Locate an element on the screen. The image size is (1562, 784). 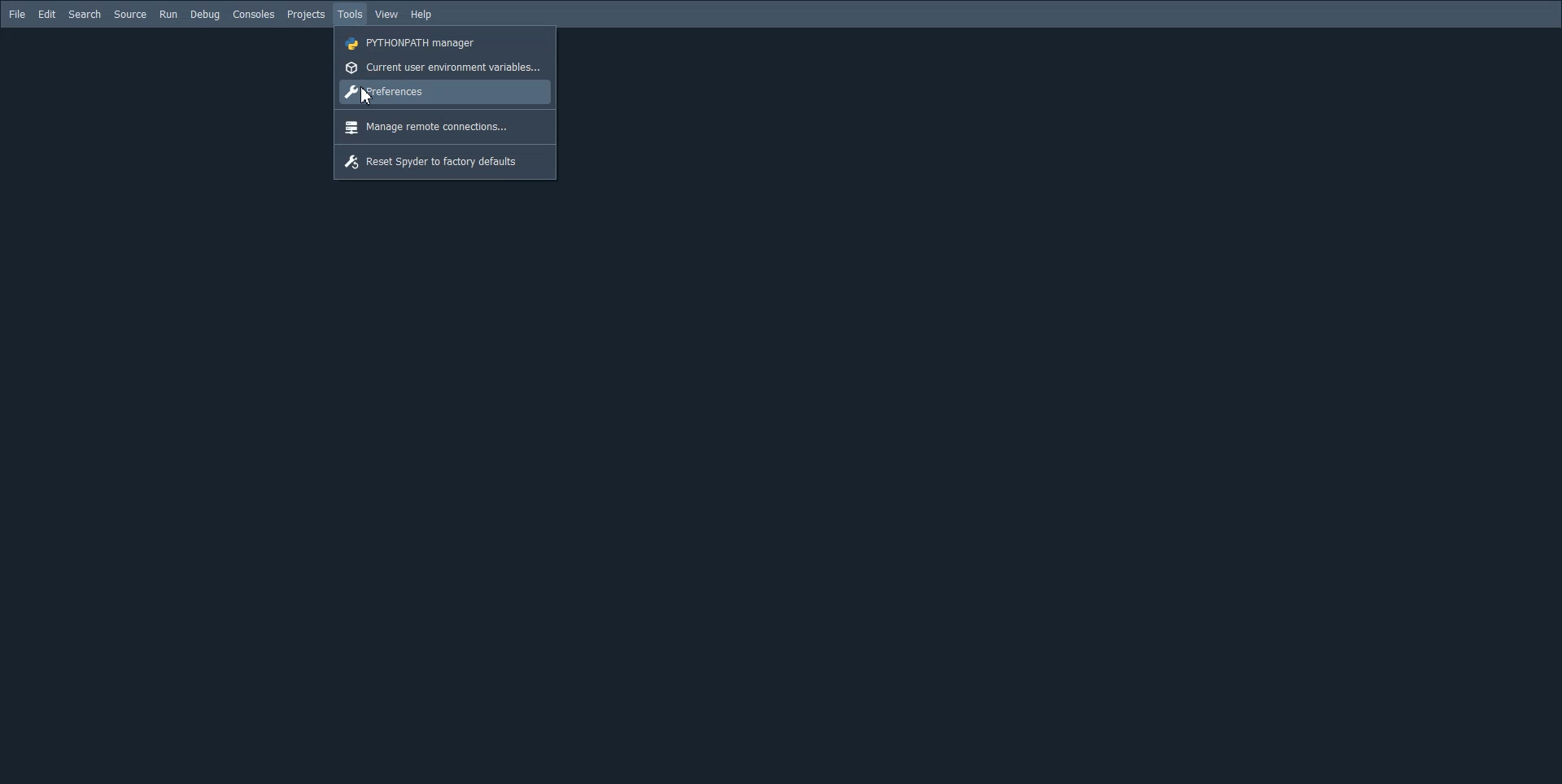
Reset spyder to factory defaults is located at coordinates (445, 163).